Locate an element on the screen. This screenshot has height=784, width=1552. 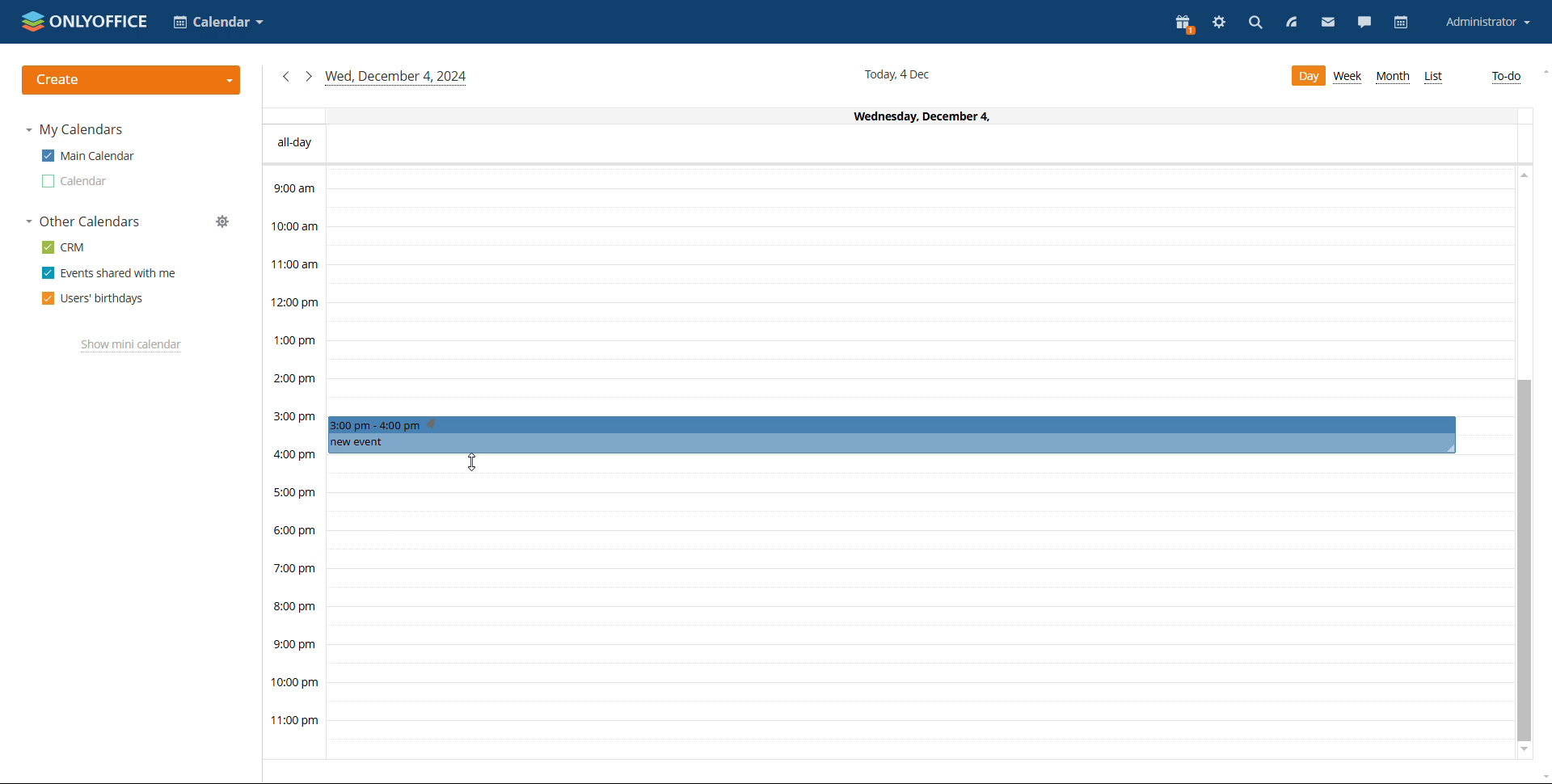
mail is located at coordinates (1326, 22).